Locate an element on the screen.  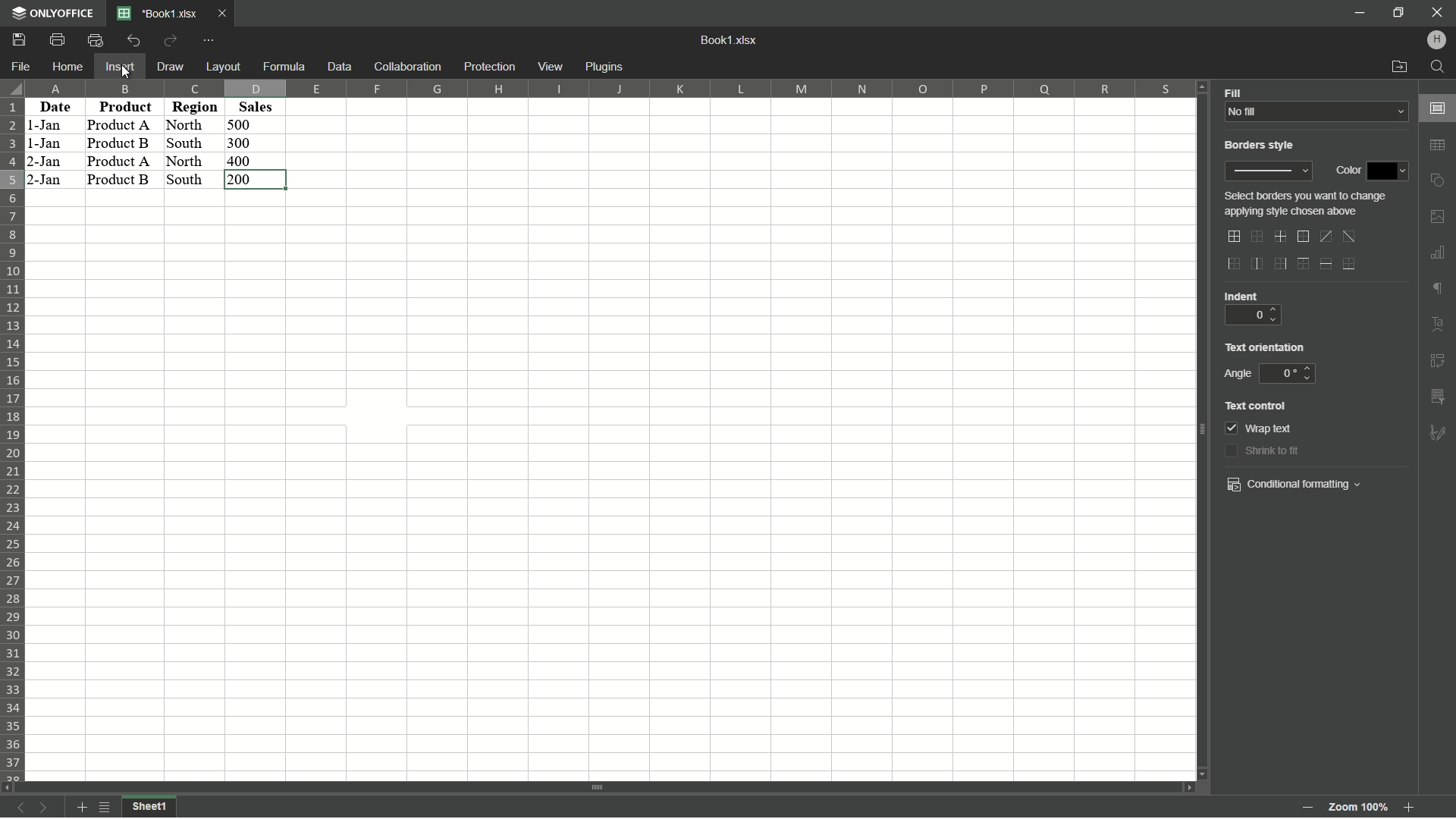
diagonal down border is located at coordinates (1353, 237).